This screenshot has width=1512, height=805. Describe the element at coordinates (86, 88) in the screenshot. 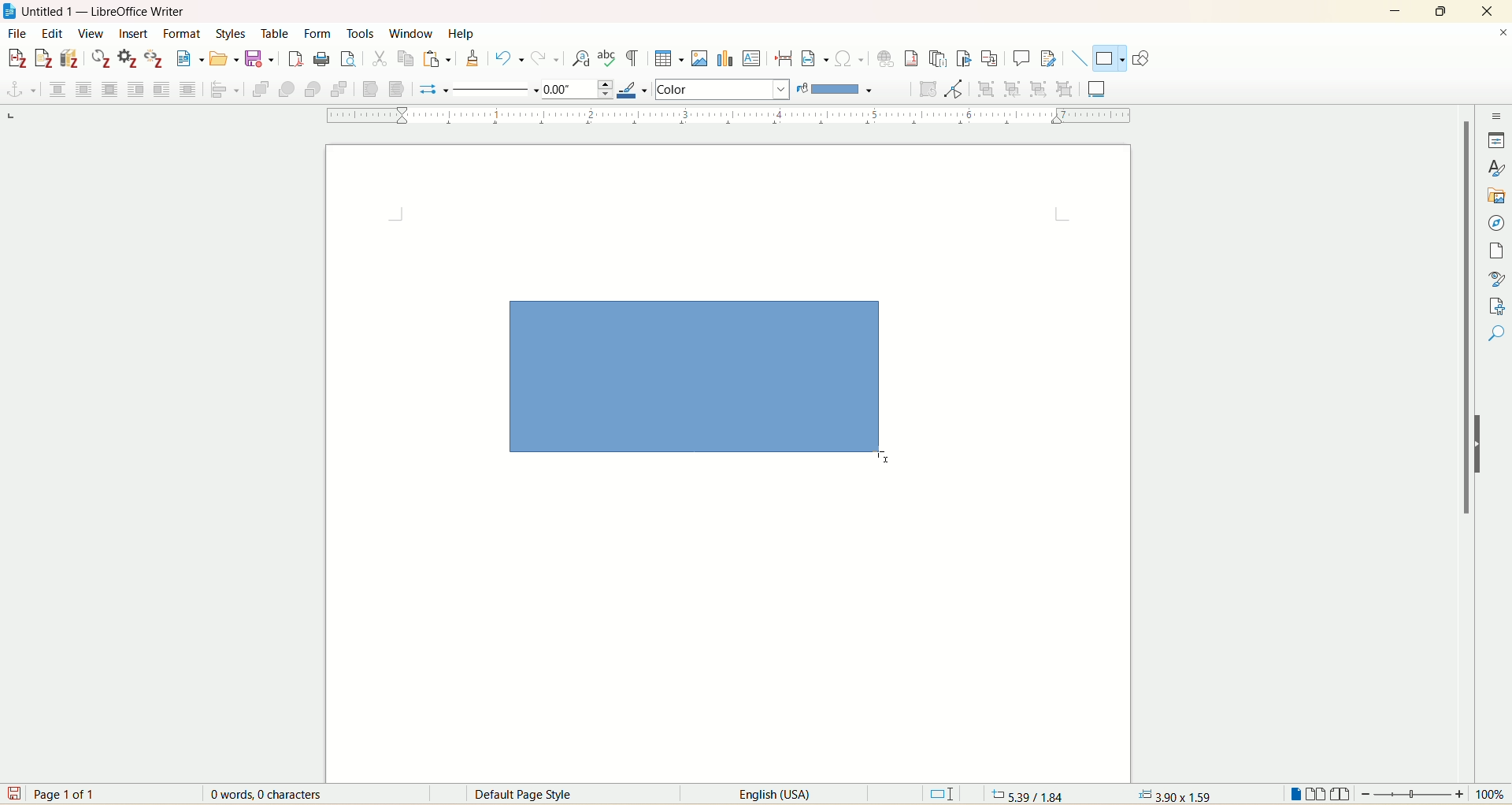

I see `parallel` at that location.